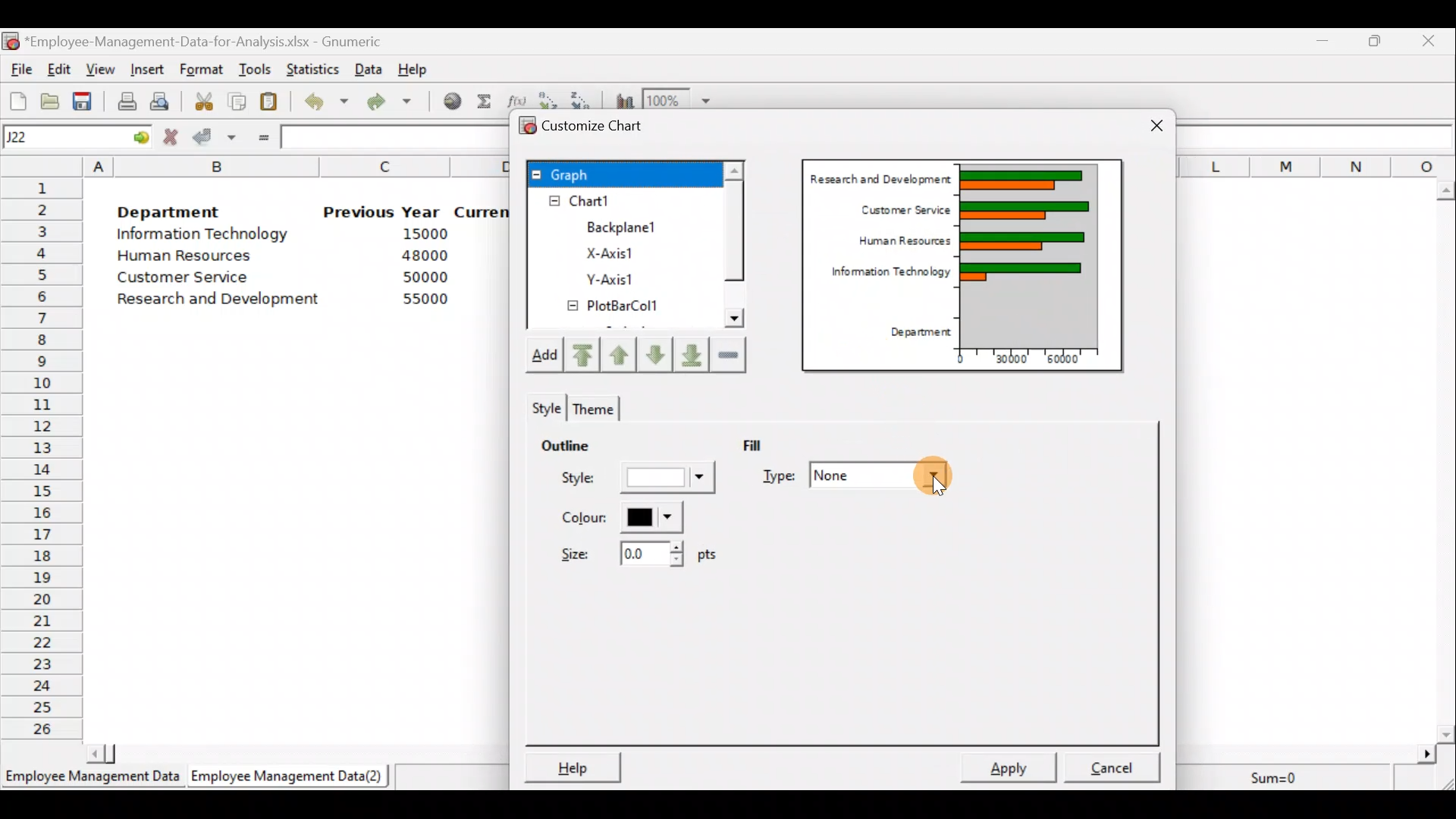  What do you see at coordinates (620, 353) in the screenshot?
I see `Move up` at bounding box center [620, 353].